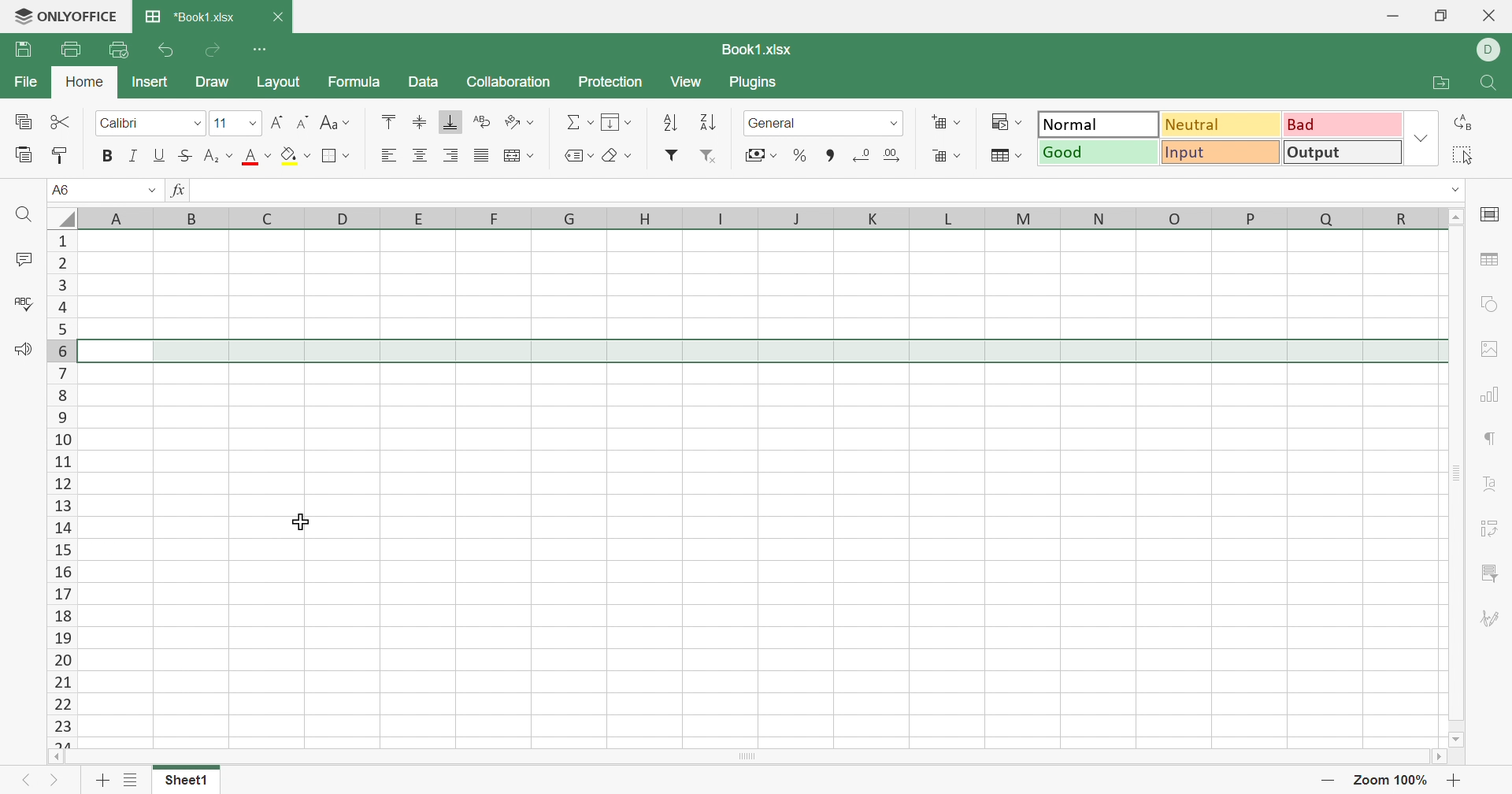  I want to click on Named ranges, so click(580, 155).